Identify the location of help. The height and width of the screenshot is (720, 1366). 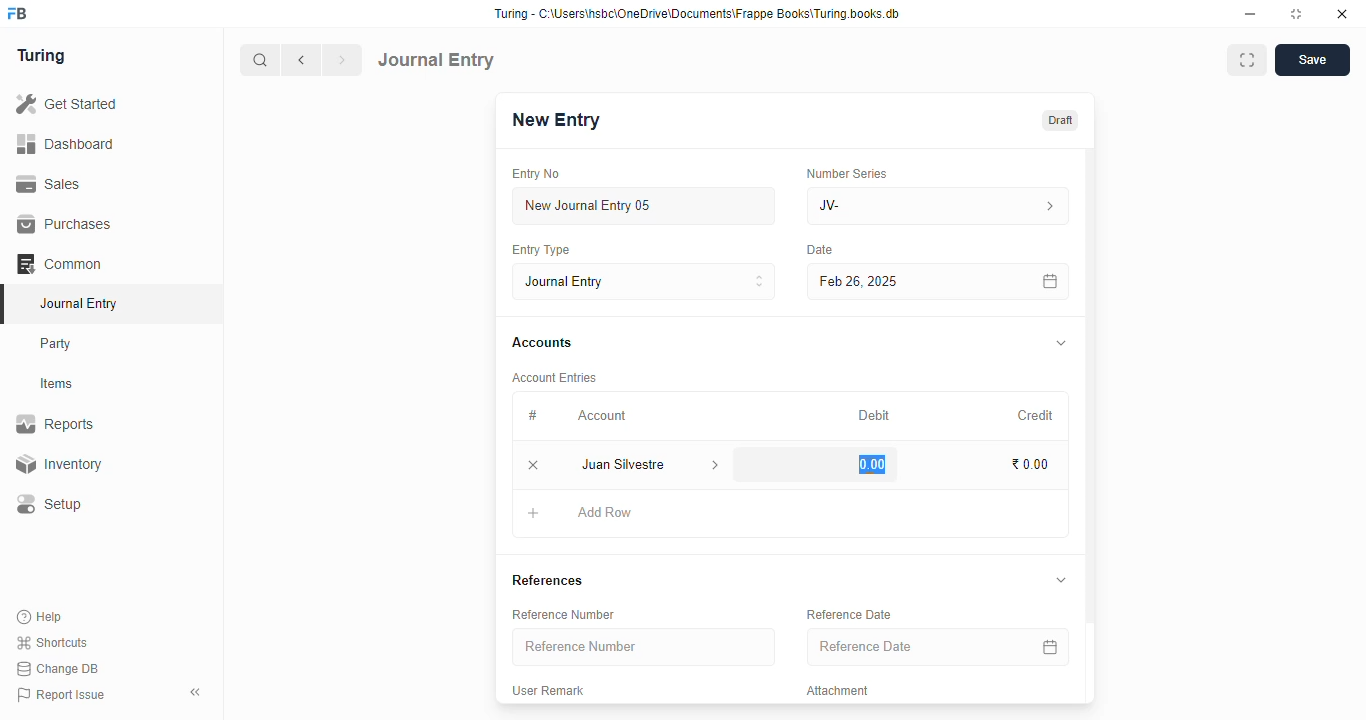
(41, 616).